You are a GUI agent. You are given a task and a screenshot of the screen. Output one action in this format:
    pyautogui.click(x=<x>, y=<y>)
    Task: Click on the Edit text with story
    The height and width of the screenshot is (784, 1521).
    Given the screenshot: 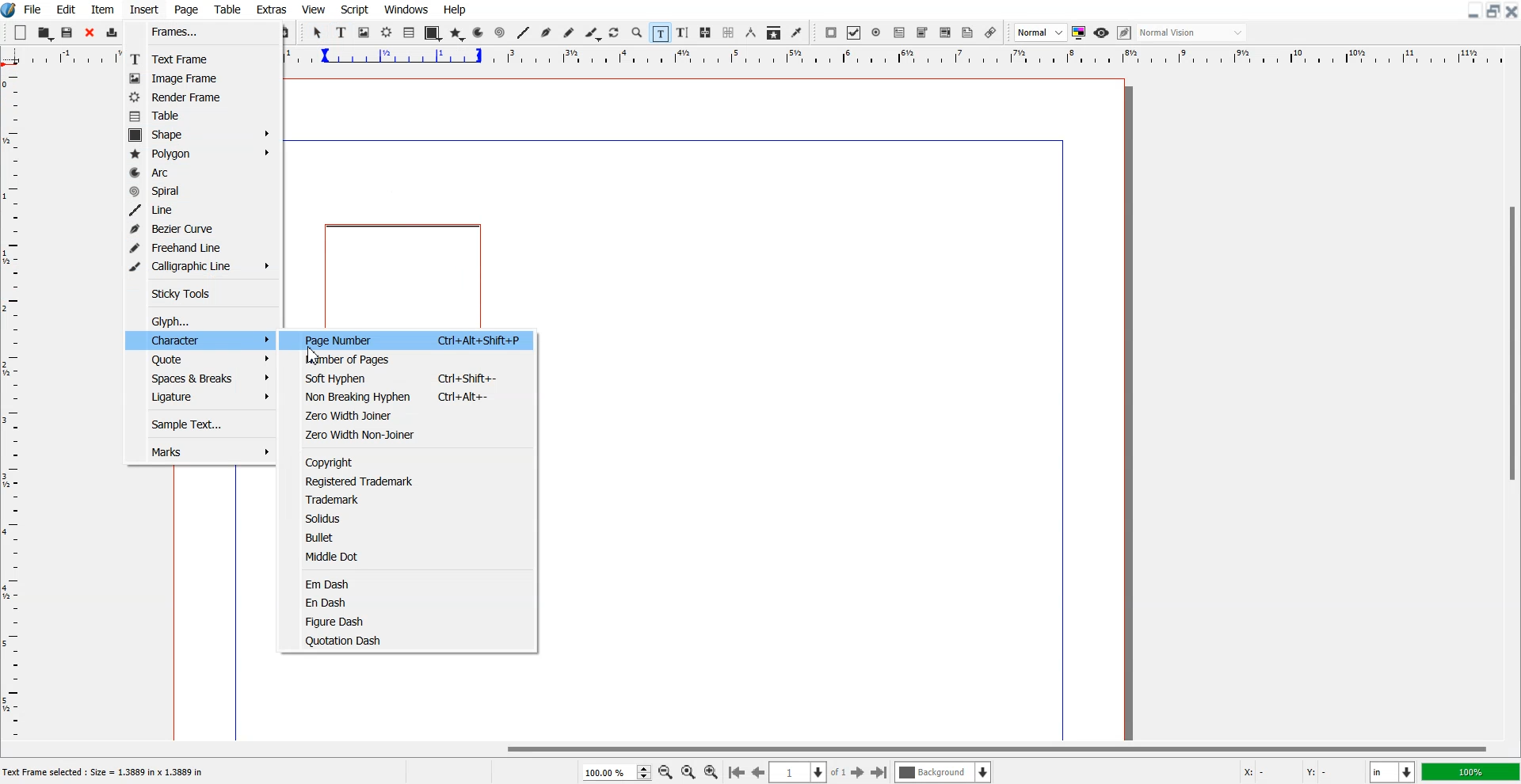 What is the action you would take?
    pyautogui.click(x=684, y=33)
    